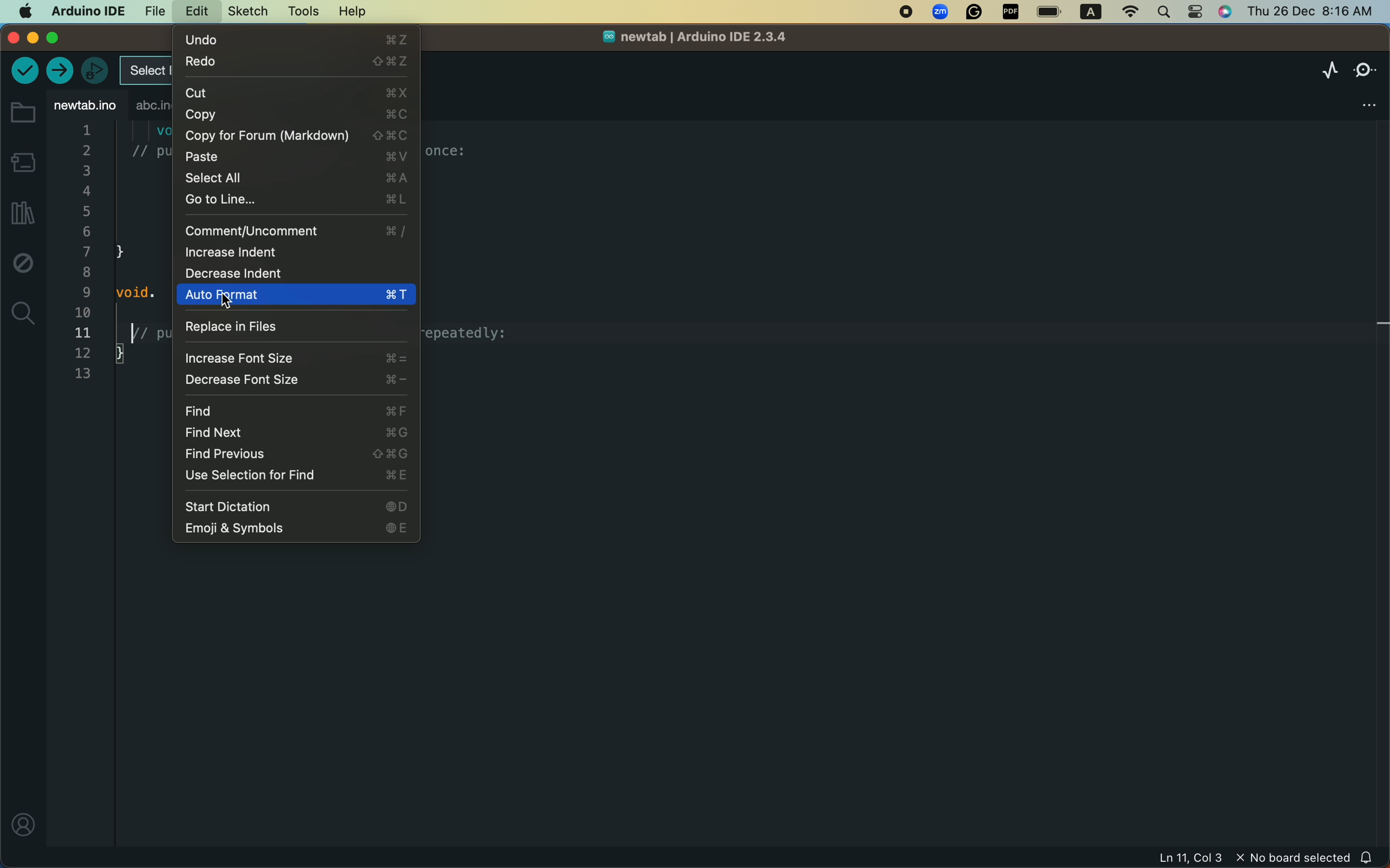 This screenshot has height=868, width=1390. I want to click on wifi, so click(1125, 12).